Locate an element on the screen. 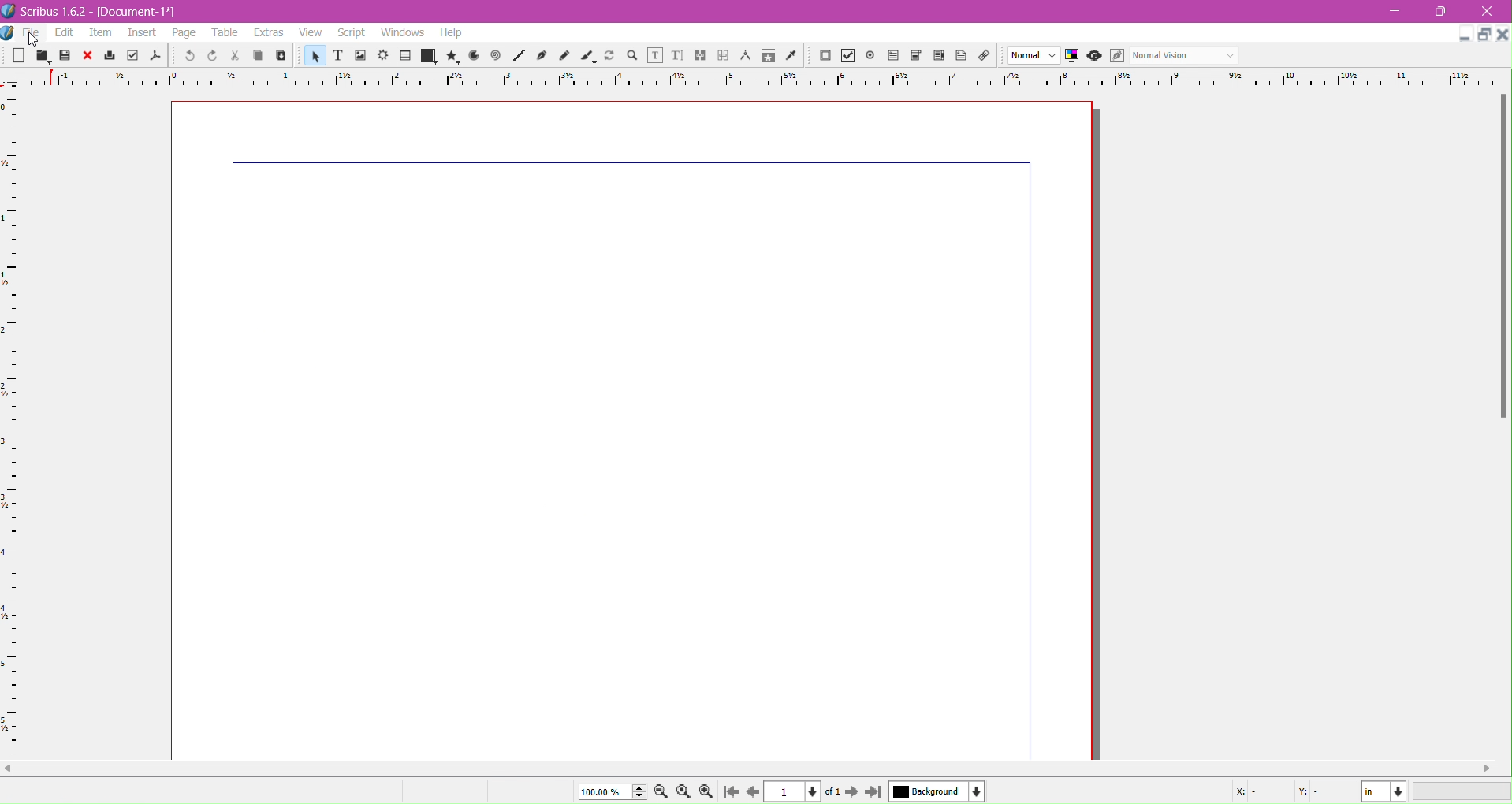 This screenshot has height=804, width=1512. app name is located at coordinates (54, 13).